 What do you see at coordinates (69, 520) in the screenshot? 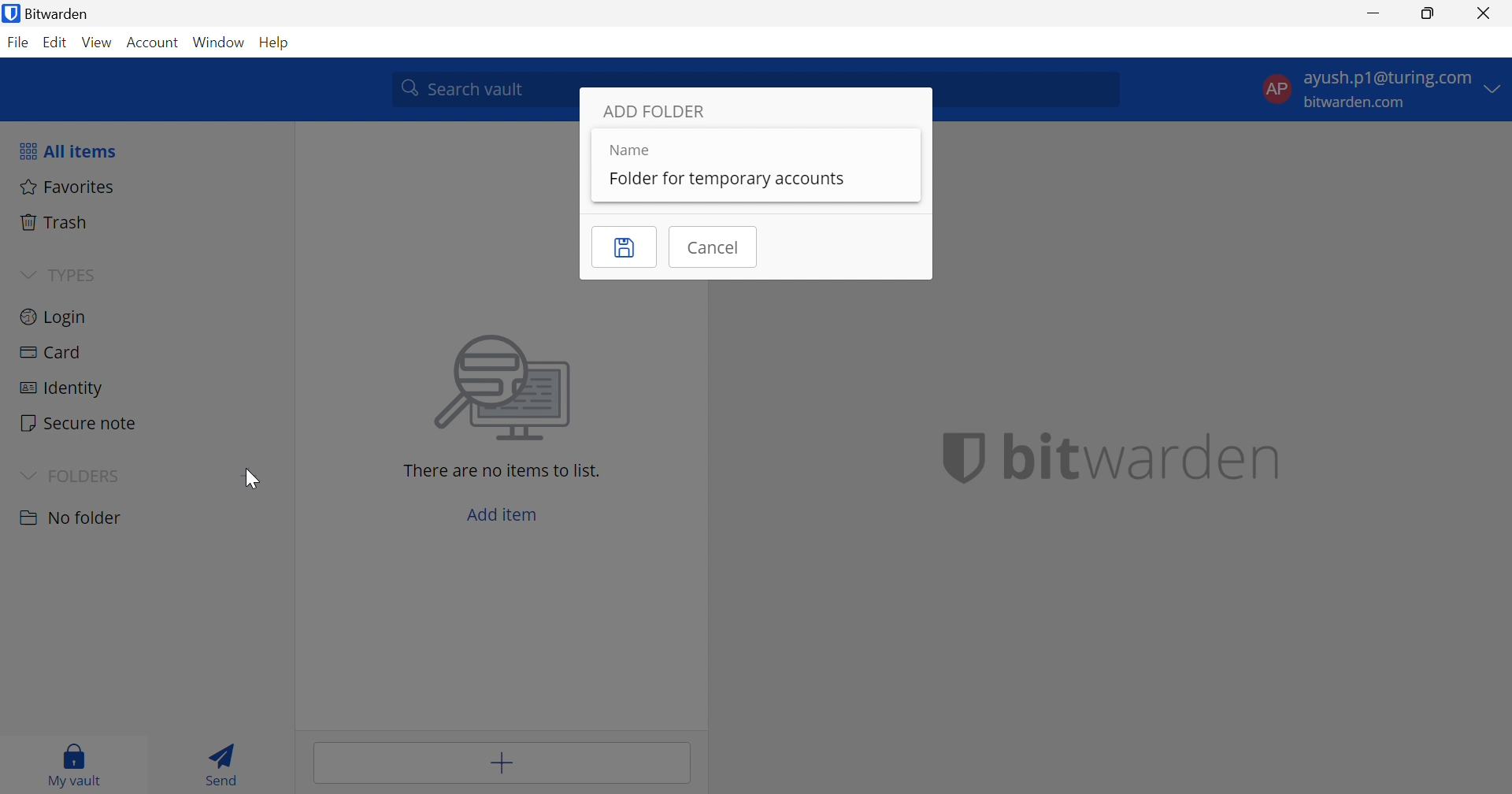
I see `No Folder` at bounding box center [69, 520].